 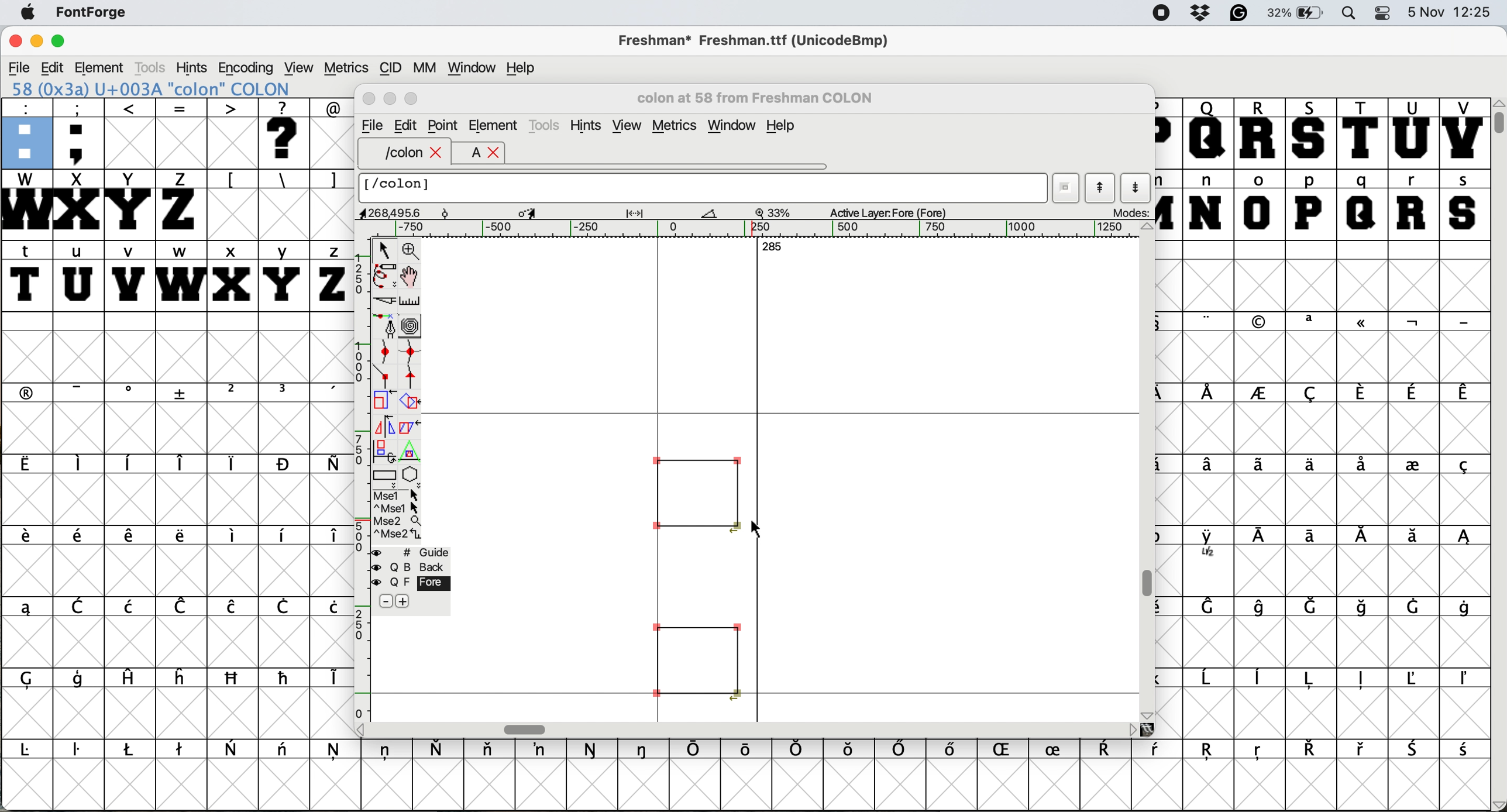 I want to click on maximise, so click(x=412, y=99).